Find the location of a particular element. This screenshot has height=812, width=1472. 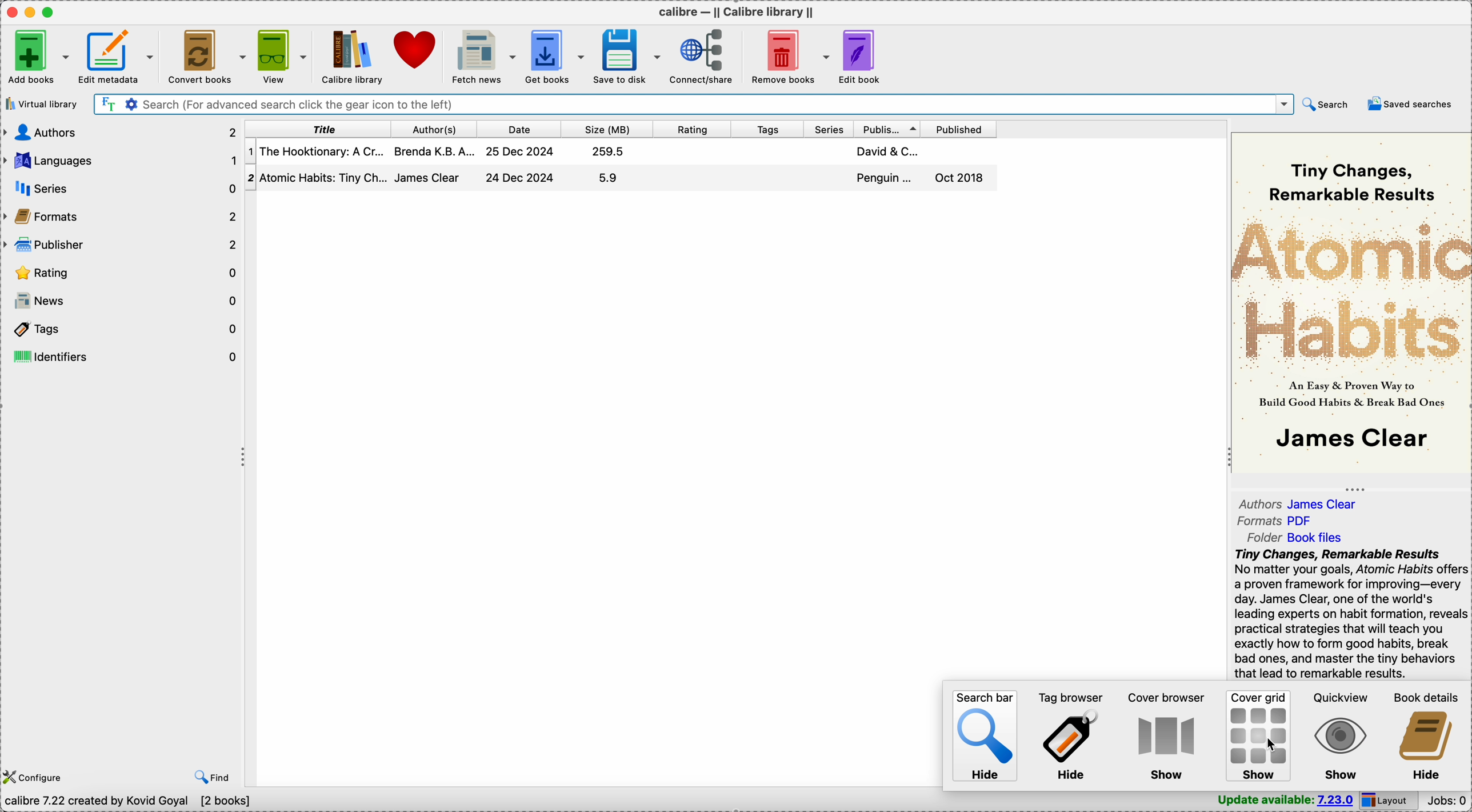

rating is located at coordinates (692, 129).